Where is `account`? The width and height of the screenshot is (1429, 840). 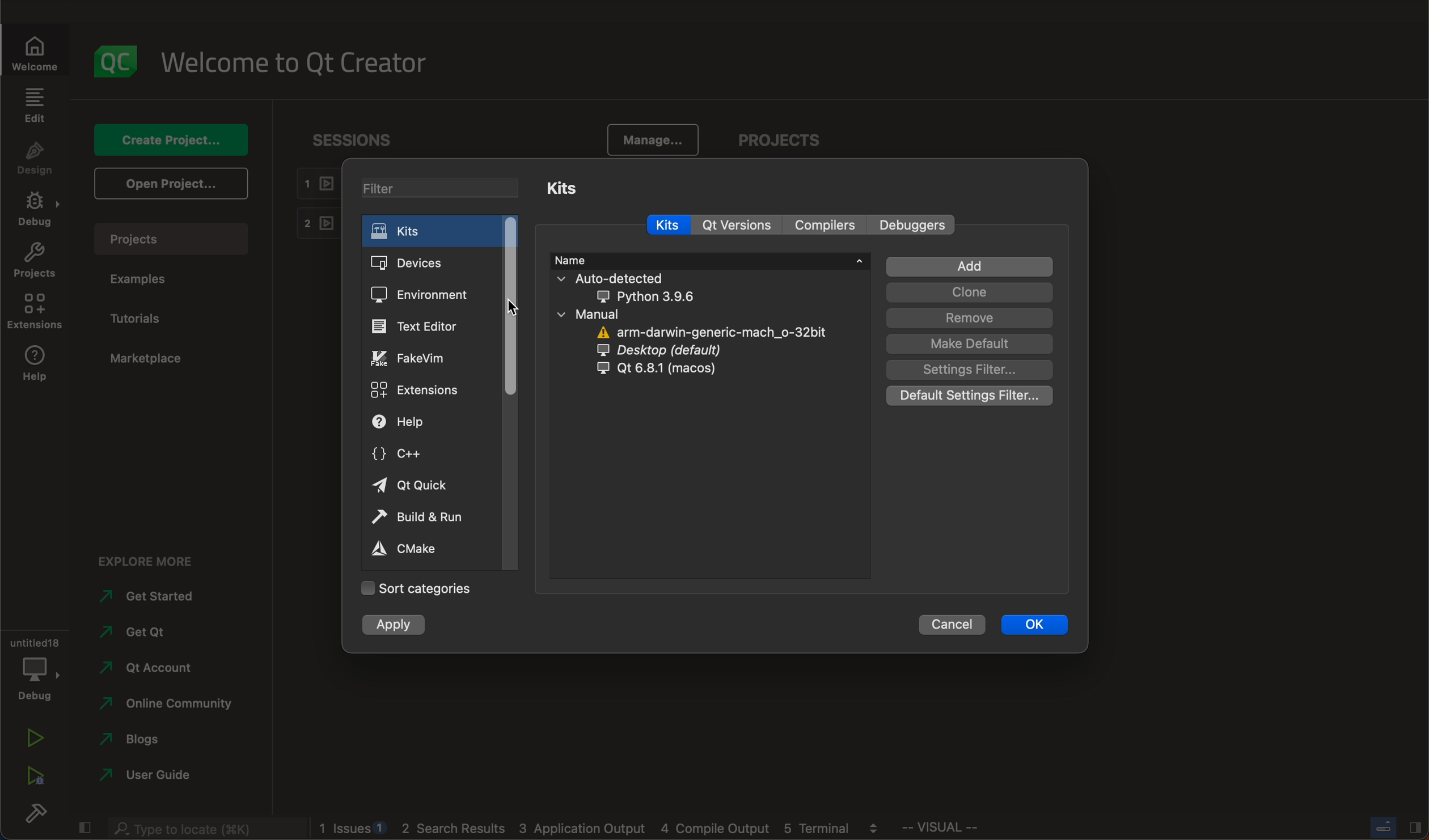
account is located at coordinates (152, 664).